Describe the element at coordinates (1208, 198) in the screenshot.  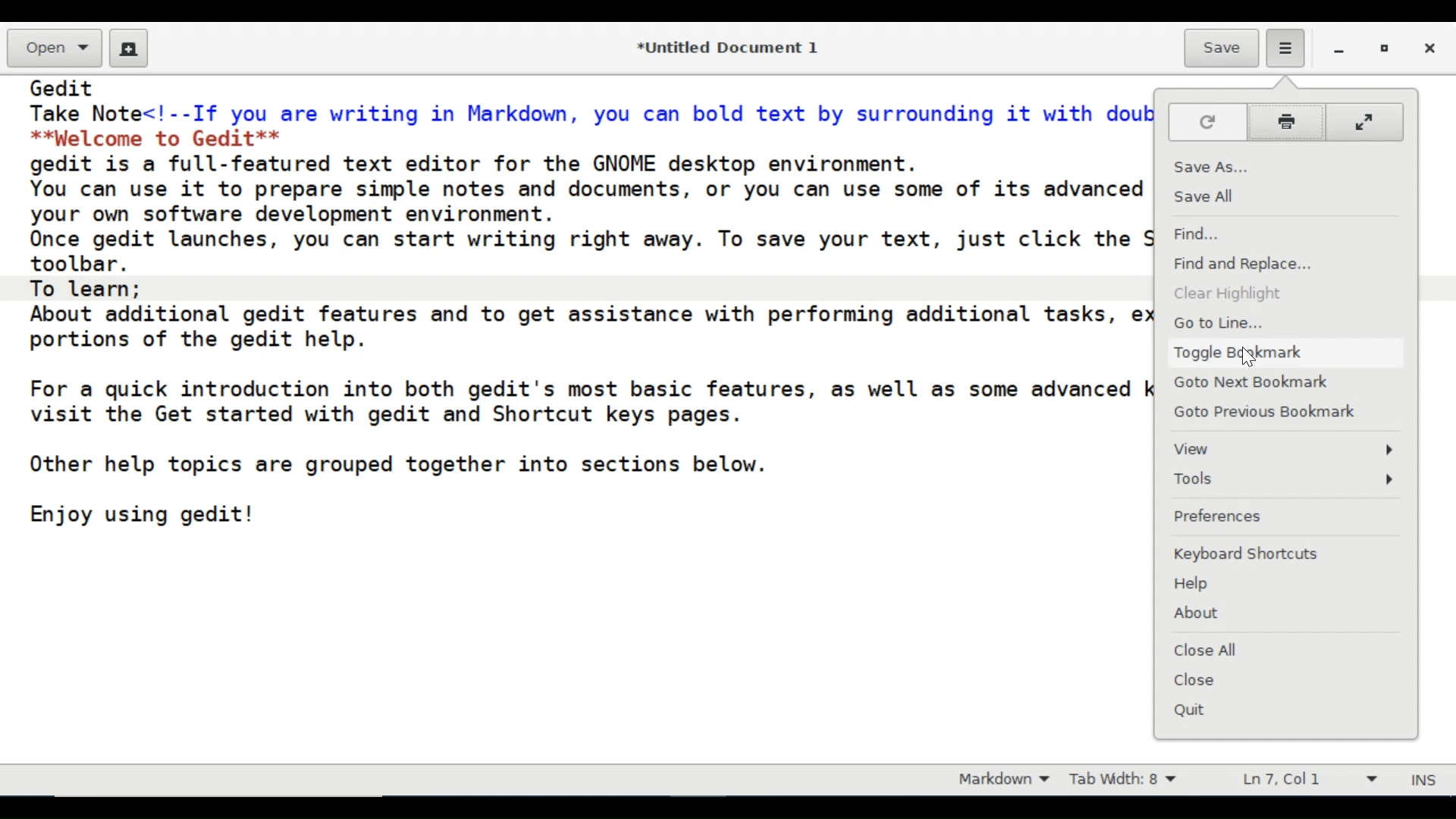
I see `Save All` at that location.